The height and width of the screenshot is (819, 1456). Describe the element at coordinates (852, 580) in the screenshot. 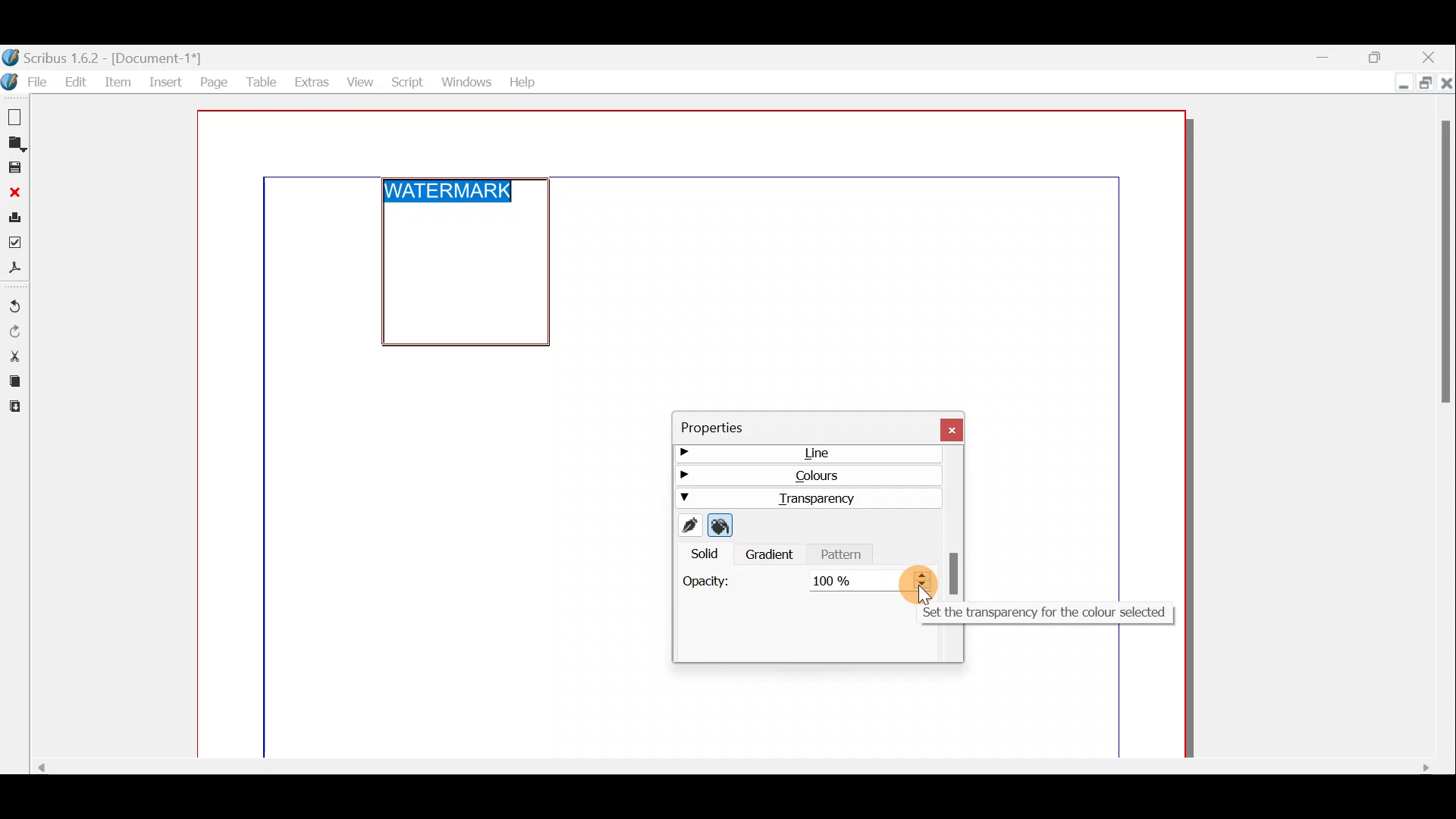

I see `100%` at that location.